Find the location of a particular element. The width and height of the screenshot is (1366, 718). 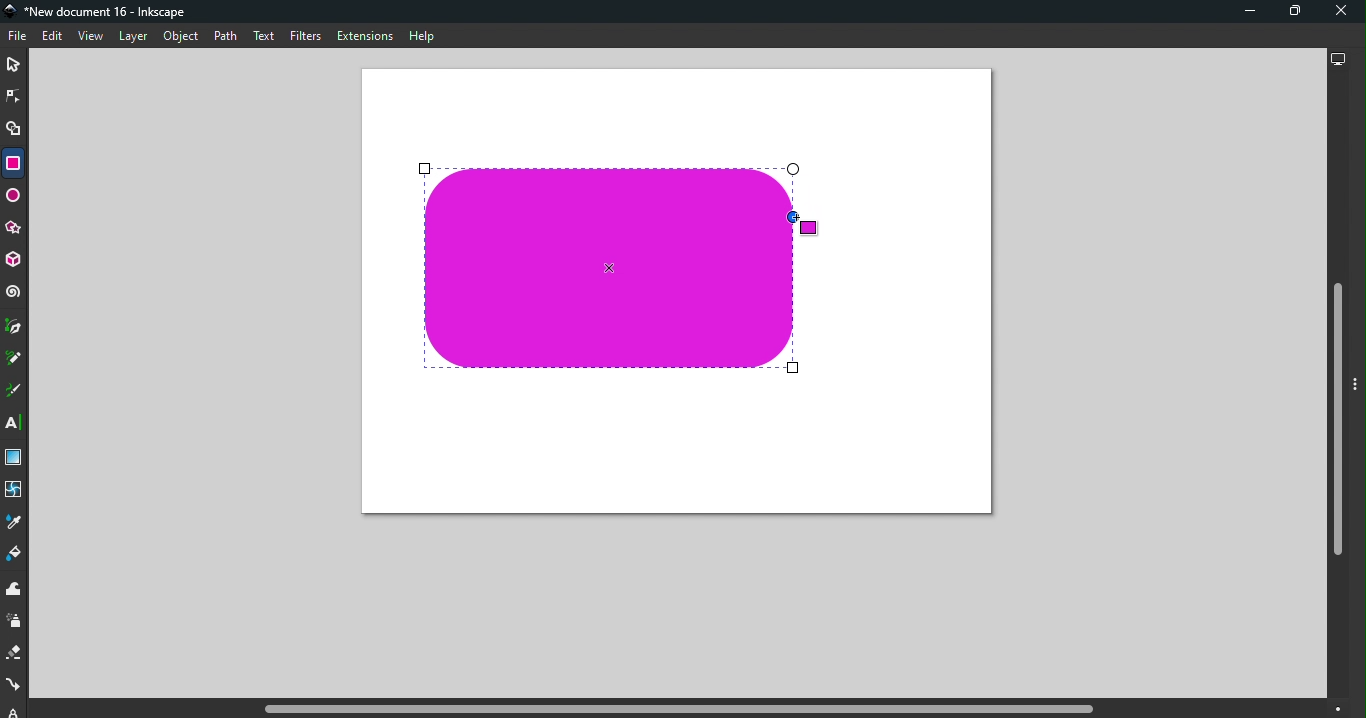

Horizontal scroll bar is located at coordinates (682, 709).